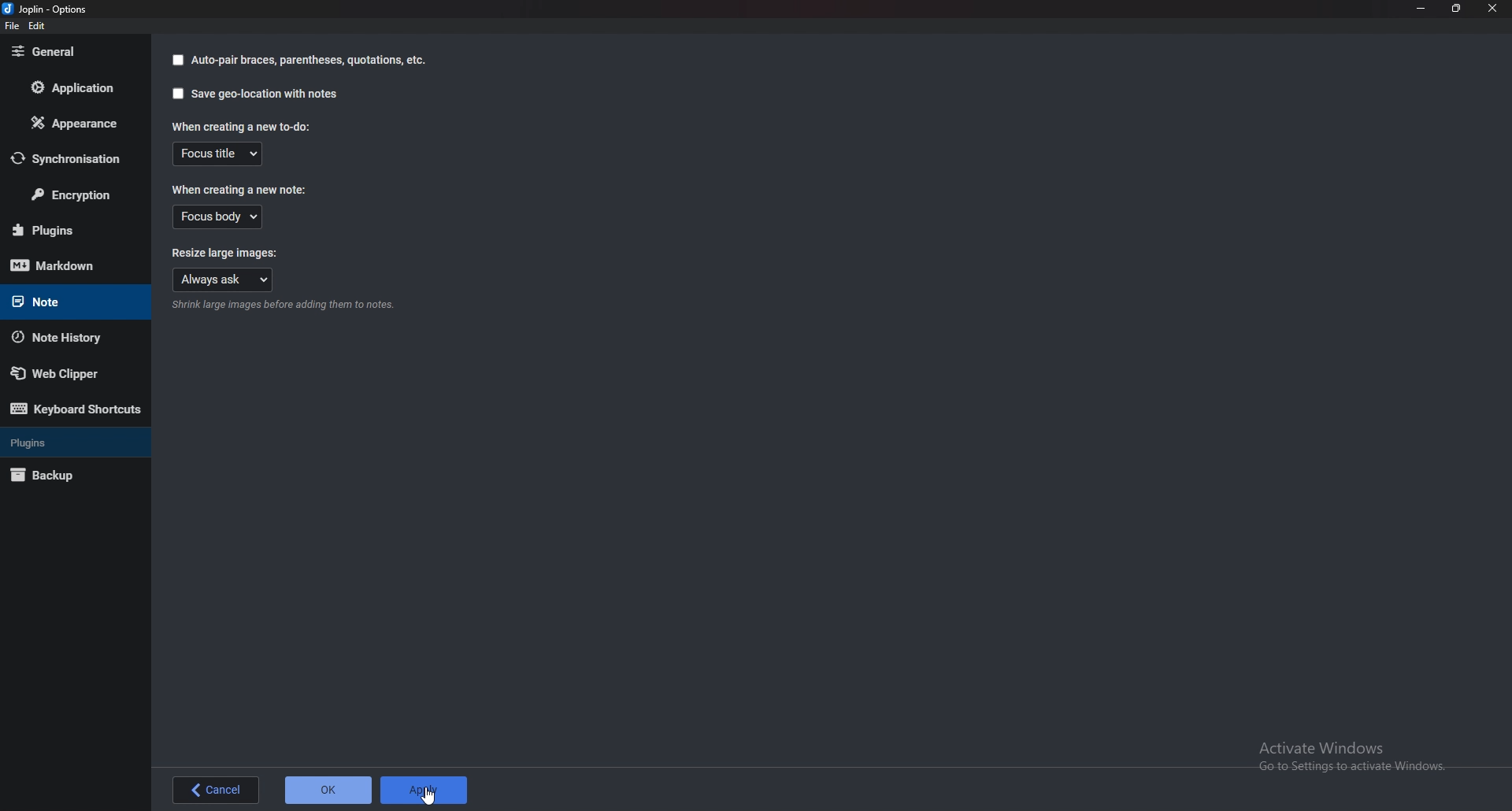 The height and width of the screenshot is (811, 1512). Describe the element at coordinates (70, 441) in the screenshot. I see `Plugins` at that location.